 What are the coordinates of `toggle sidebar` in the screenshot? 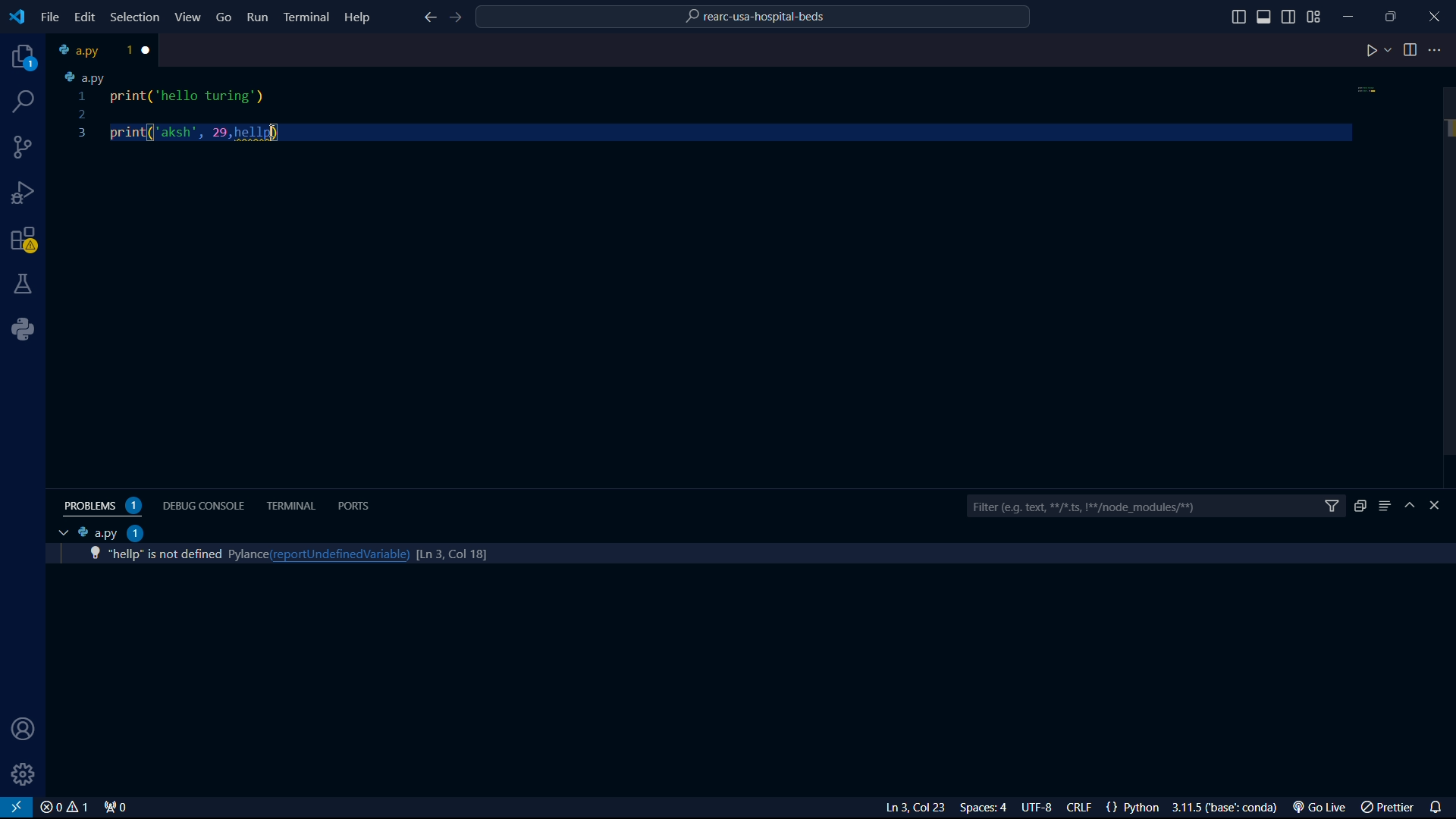 It's located at (1290, 15).